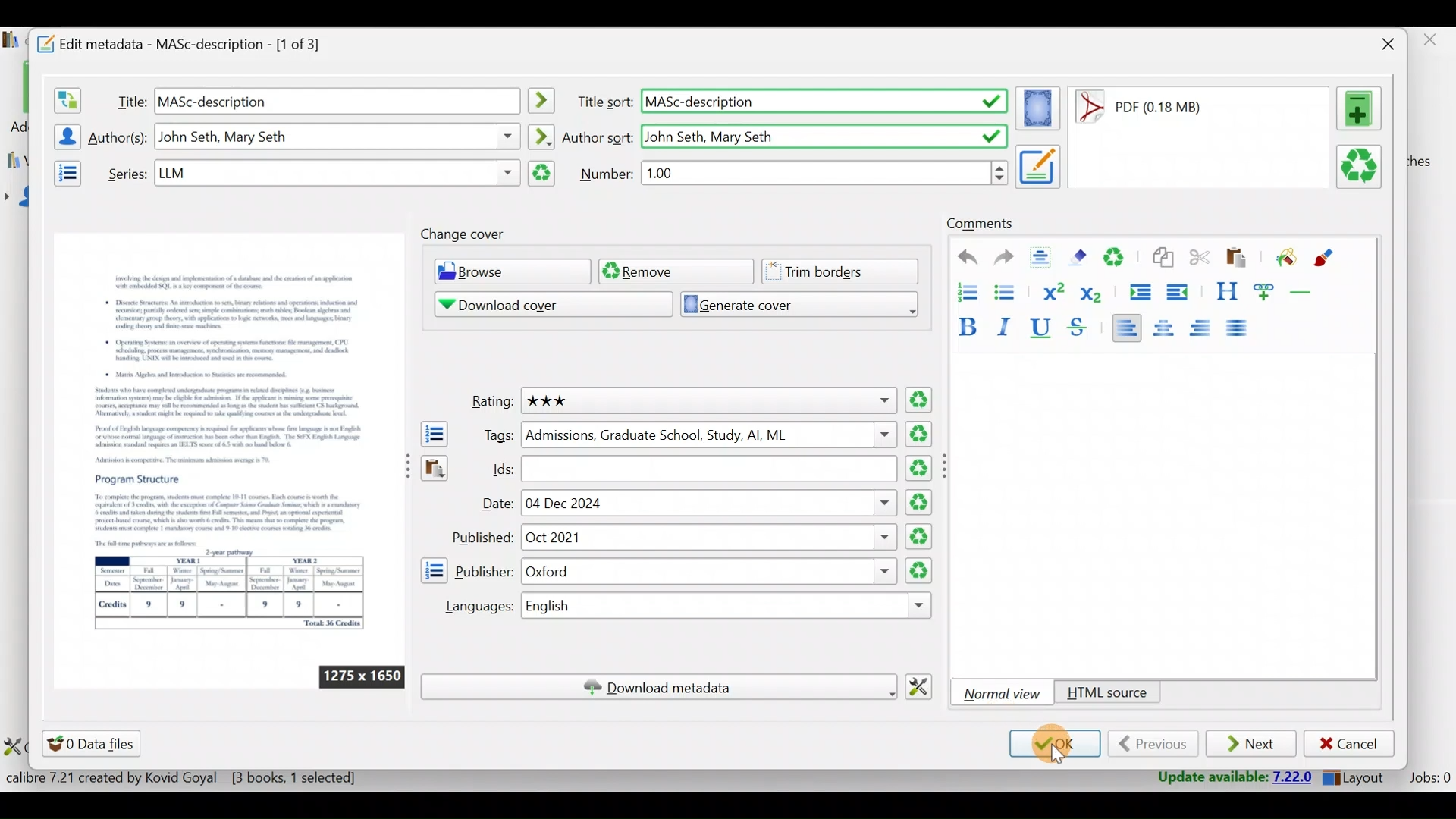 The image size is (1456, 819). What do you see at coordinates (228, 438) in the screenshot?
I see `cover preview` at bounding box center [228, 438].